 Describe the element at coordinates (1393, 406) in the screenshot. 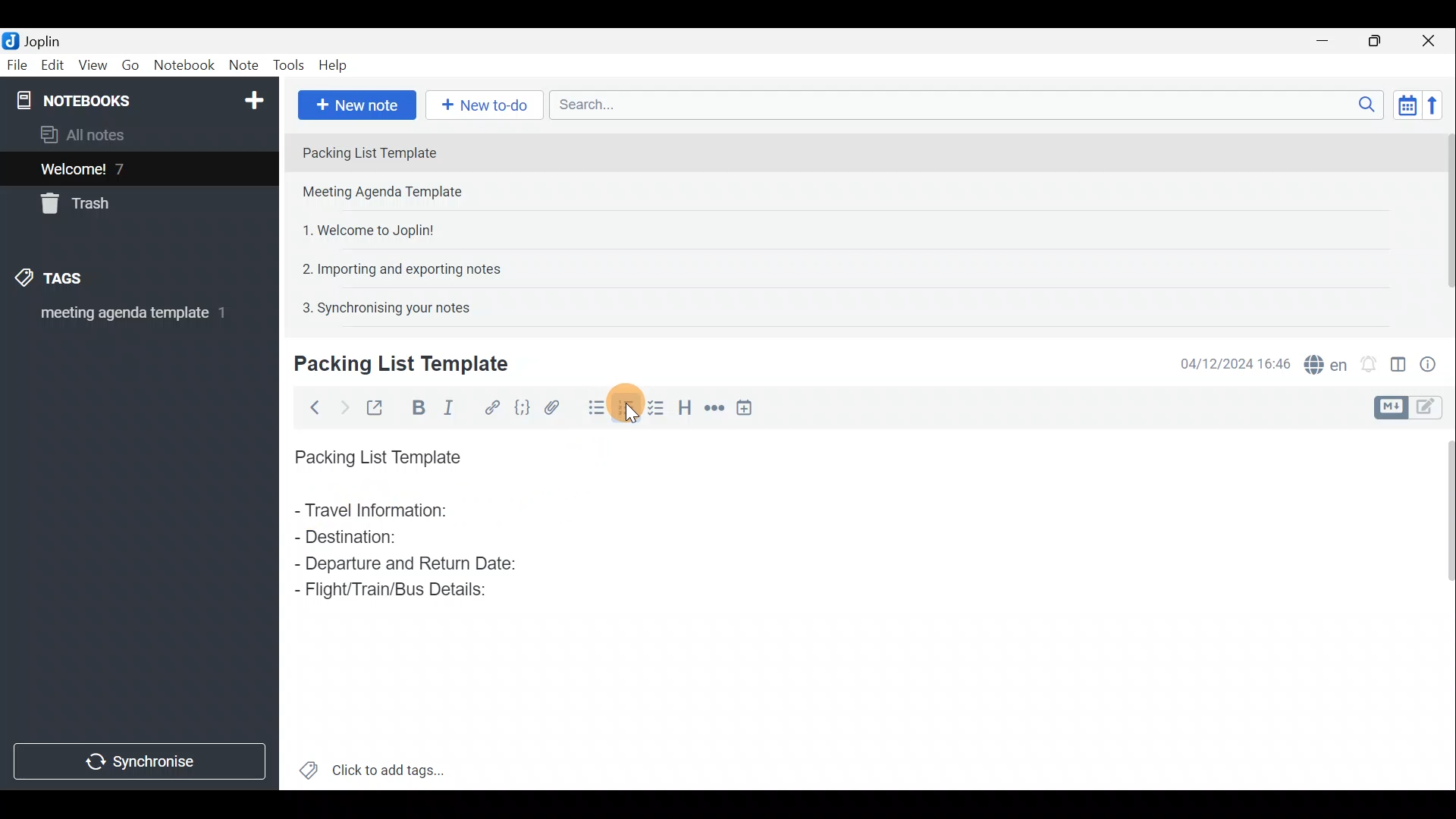

I see `Toggle editors` at that location.